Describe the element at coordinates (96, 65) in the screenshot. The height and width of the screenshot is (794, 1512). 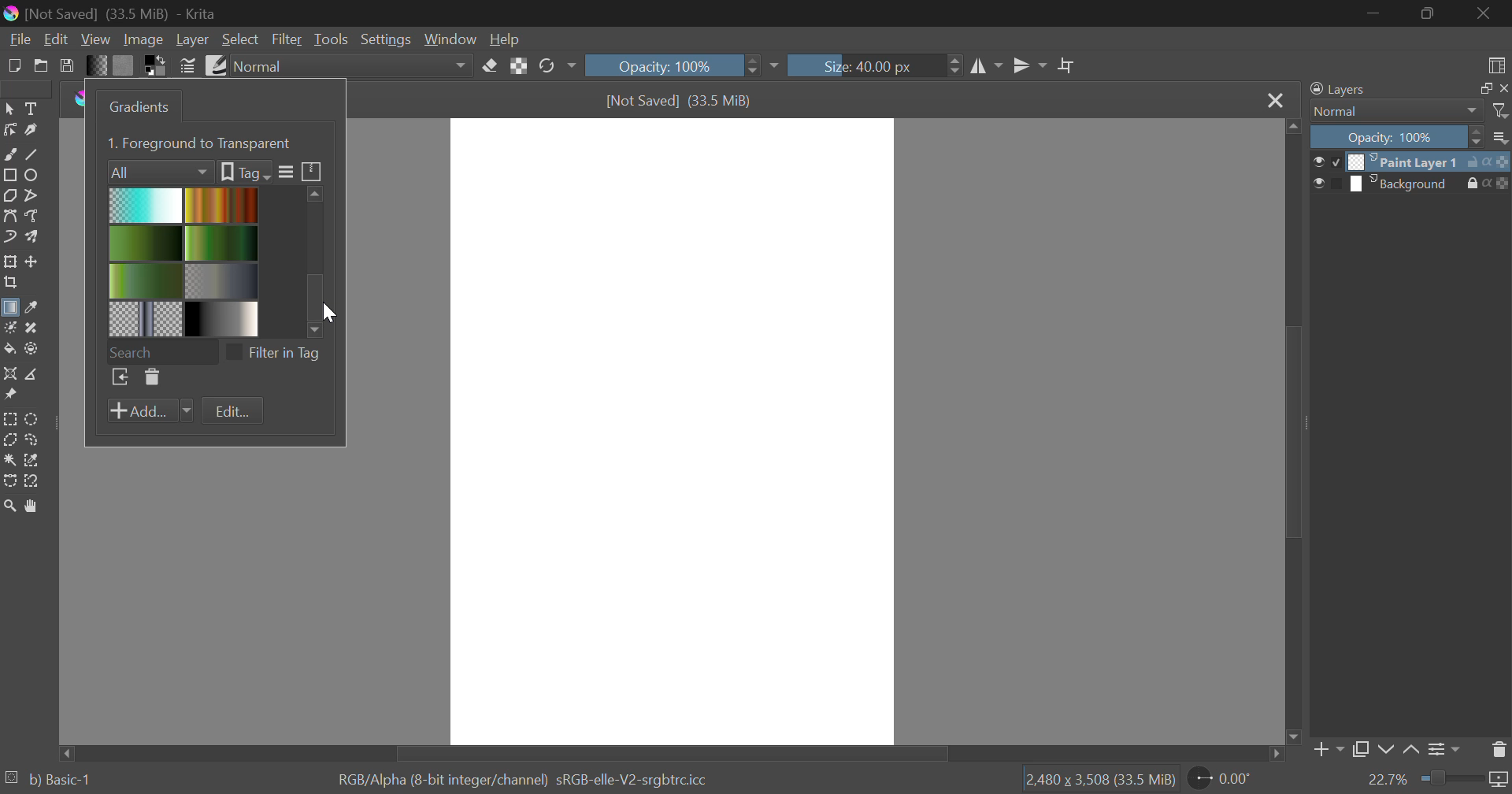
I see `Gradient` at that location.